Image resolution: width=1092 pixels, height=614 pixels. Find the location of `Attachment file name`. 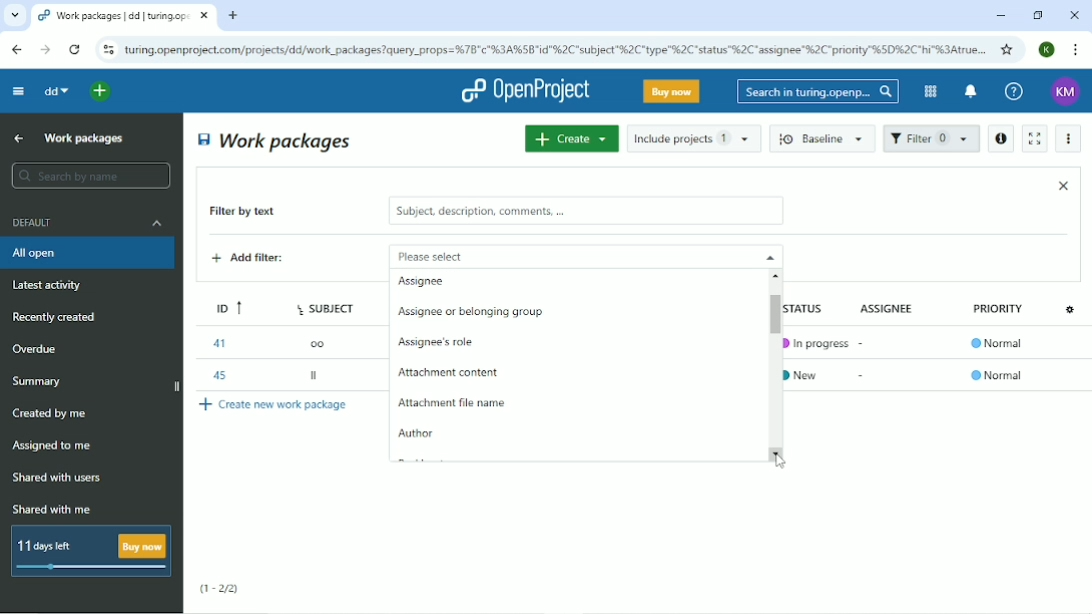

Attachment file name is located at coordinates (450, 404).